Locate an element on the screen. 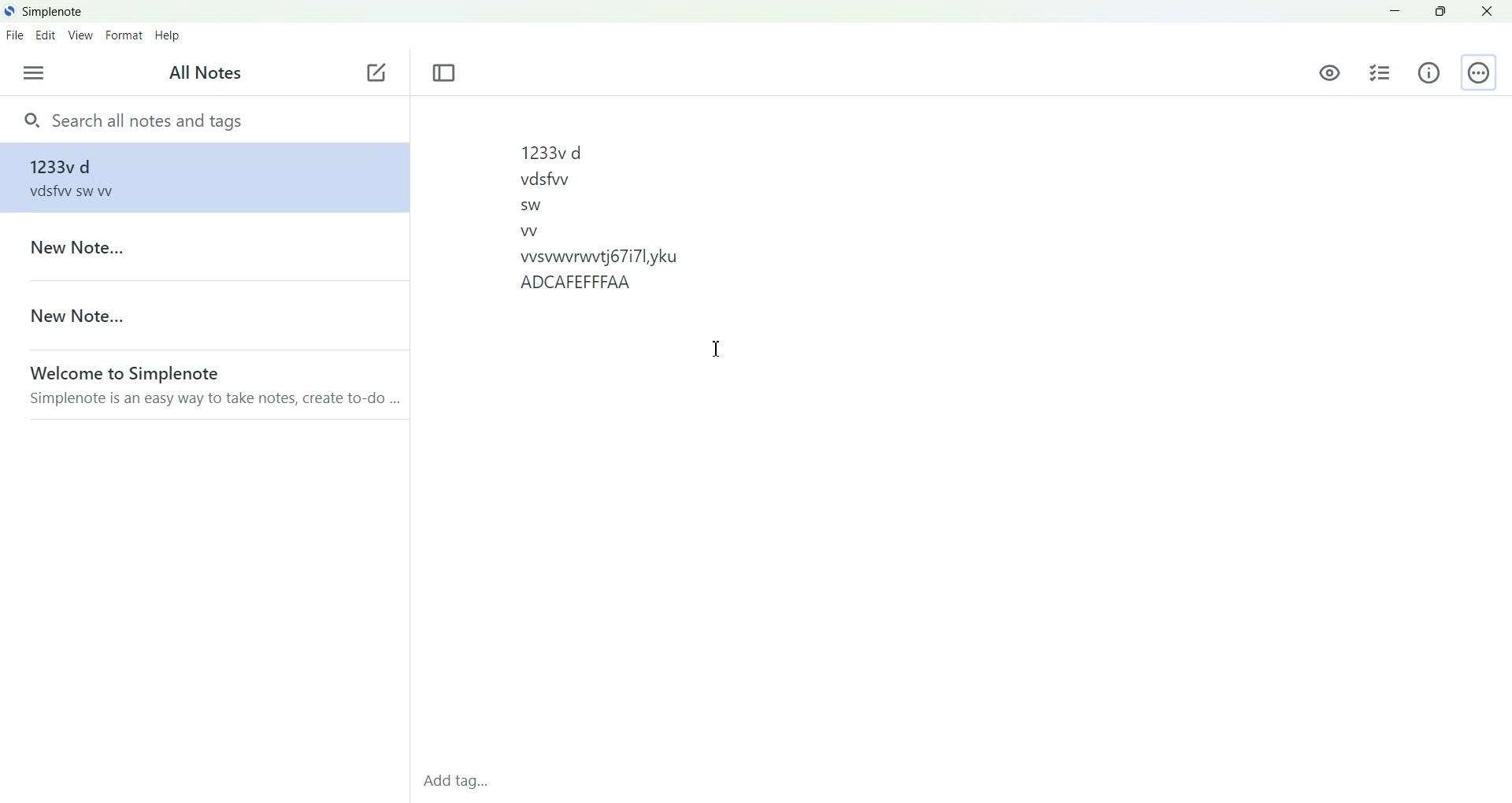  Add tag is located at coordinates (462, 785).